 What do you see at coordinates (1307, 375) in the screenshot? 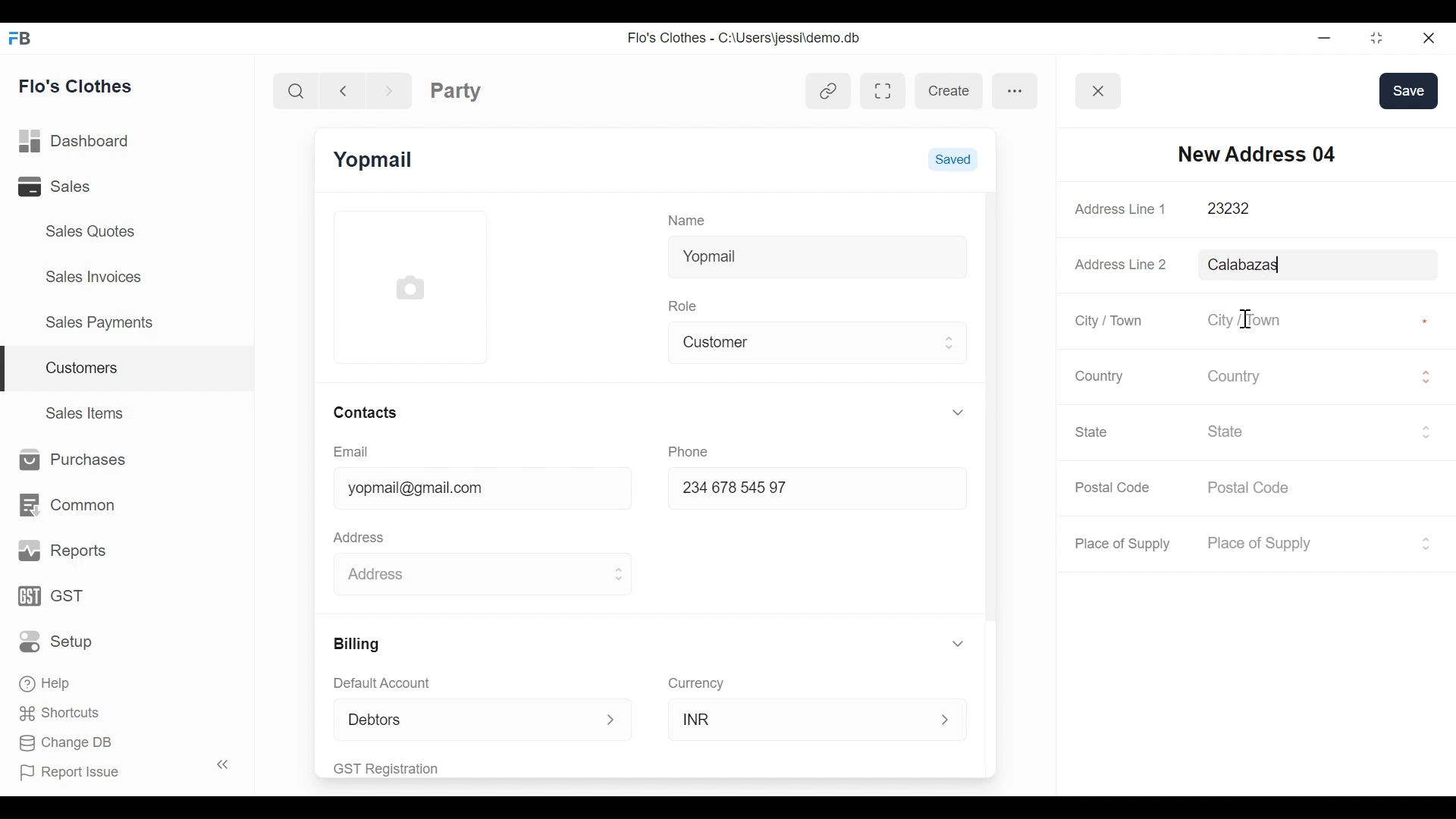
I see `Country` at bounding box center [1307, 375].